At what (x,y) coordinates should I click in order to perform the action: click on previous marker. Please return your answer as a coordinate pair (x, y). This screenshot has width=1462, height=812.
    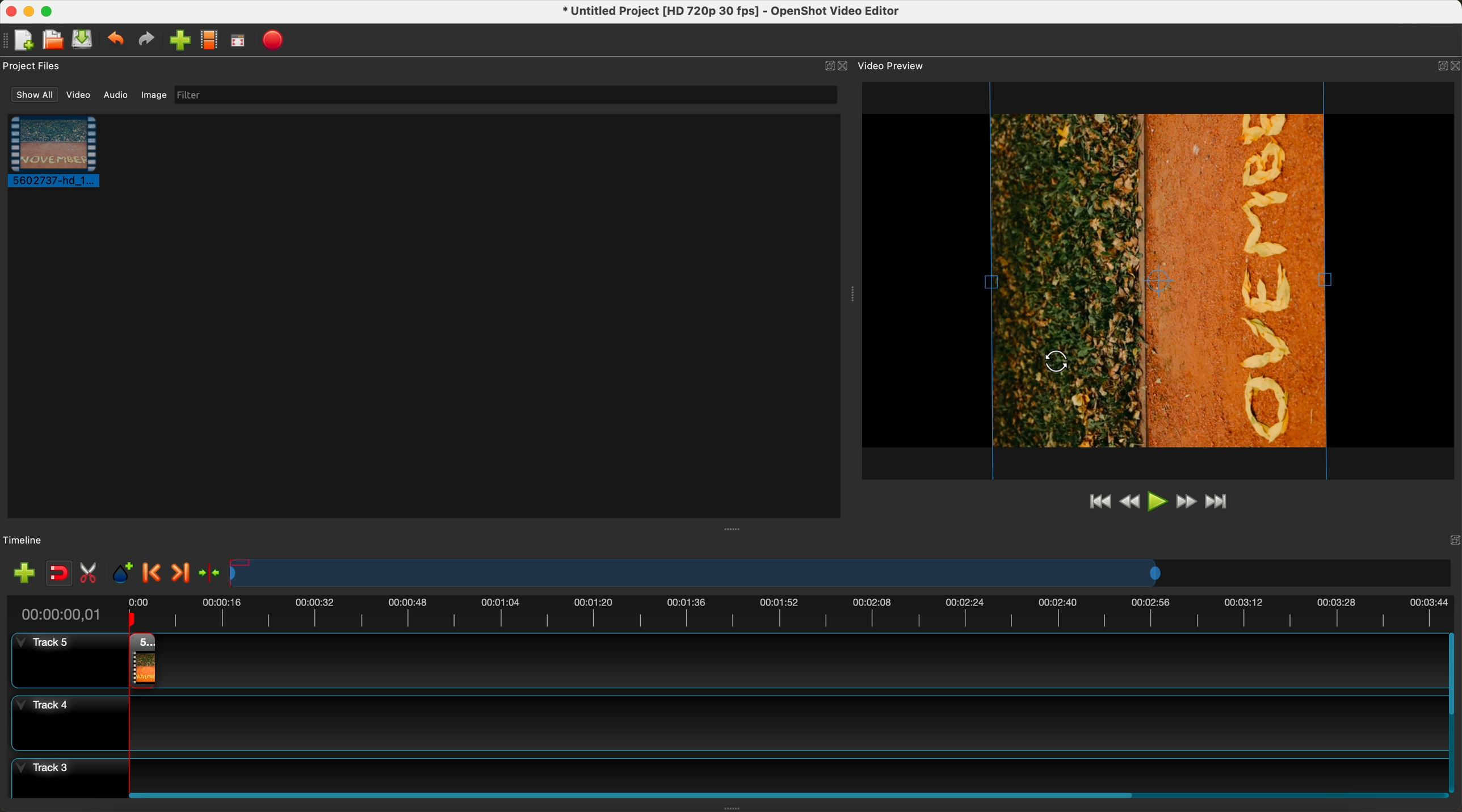
    Looking at the image, I should click on (153, 573).